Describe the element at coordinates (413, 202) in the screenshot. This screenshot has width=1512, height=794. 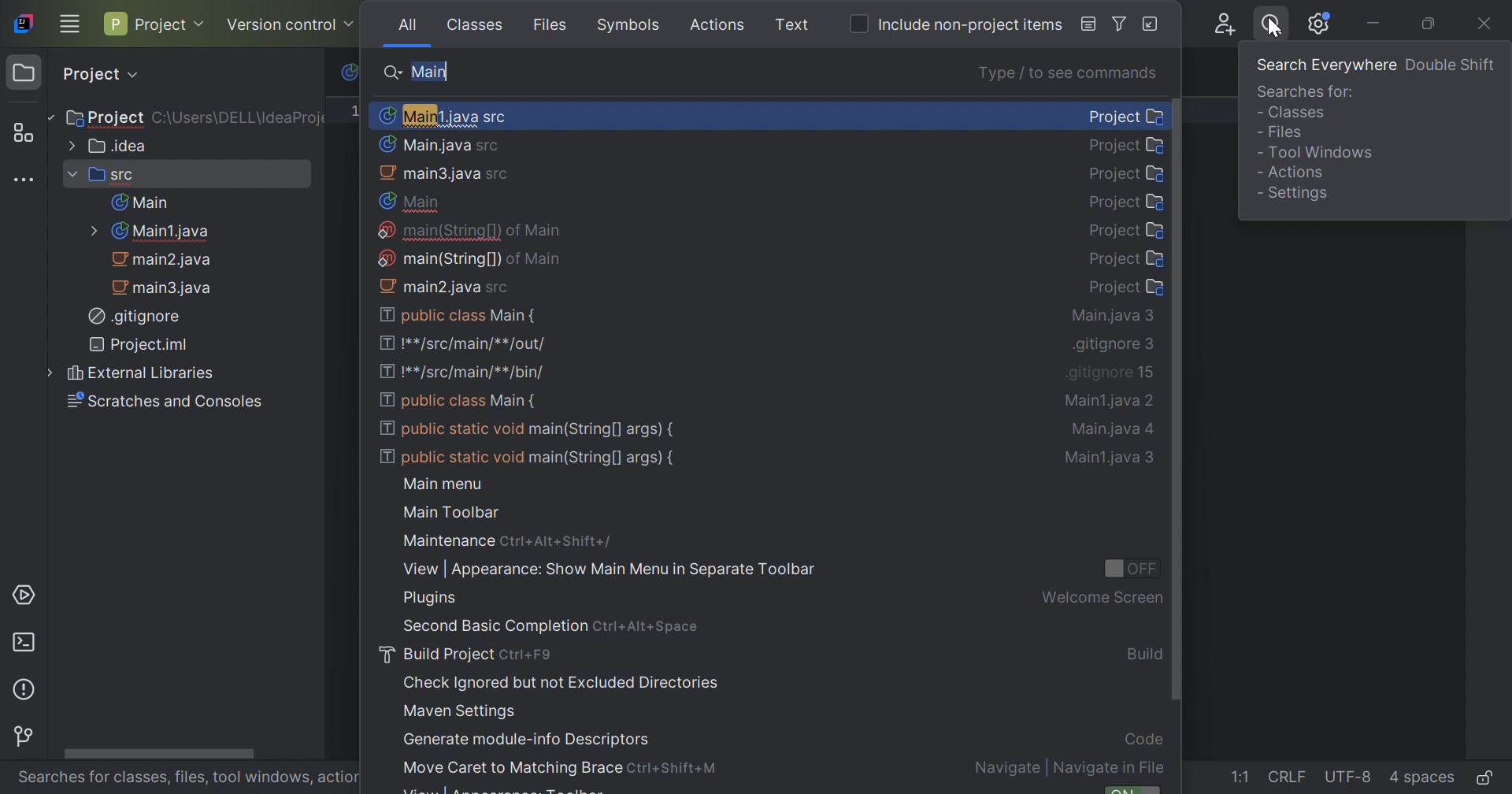
I see `Main` at that location.